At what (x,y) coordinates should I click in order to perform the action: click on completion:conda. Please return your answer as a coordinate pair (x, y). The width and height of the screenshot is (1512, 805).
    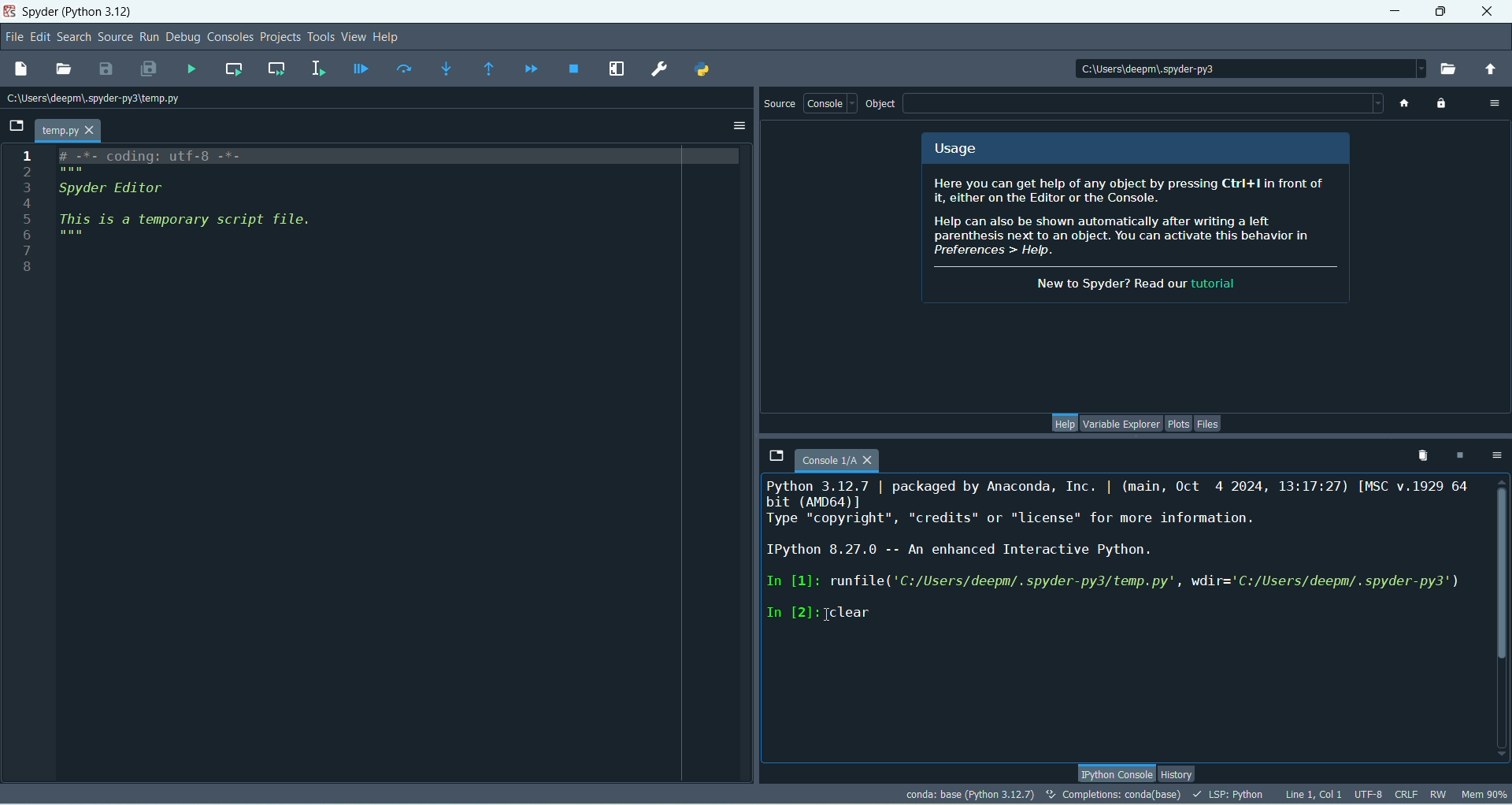
    Looking at the image, I should click on (1113, 794).